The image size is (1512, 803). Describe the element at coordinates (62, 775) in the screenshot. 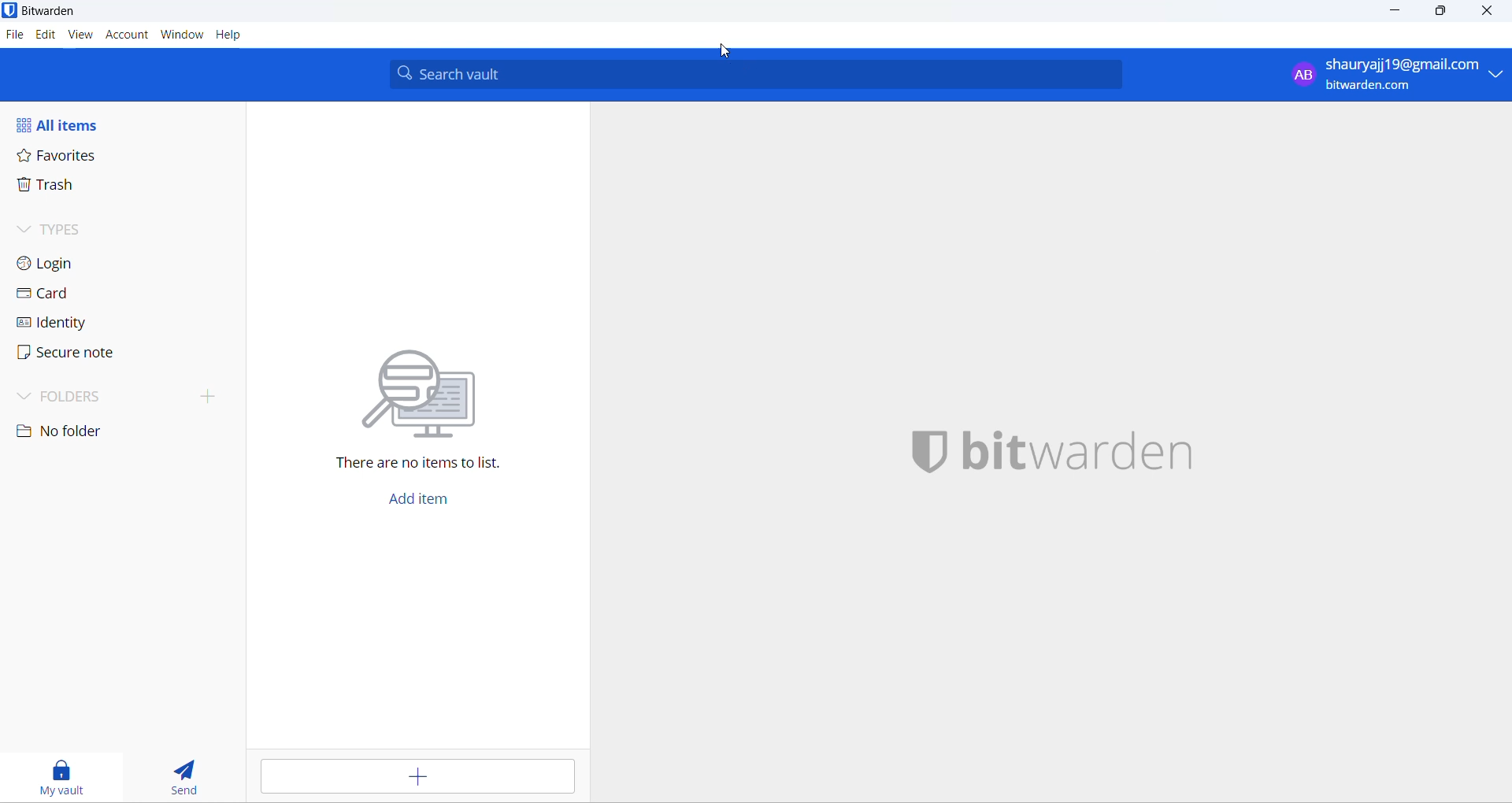

I see `my vault` at that location.